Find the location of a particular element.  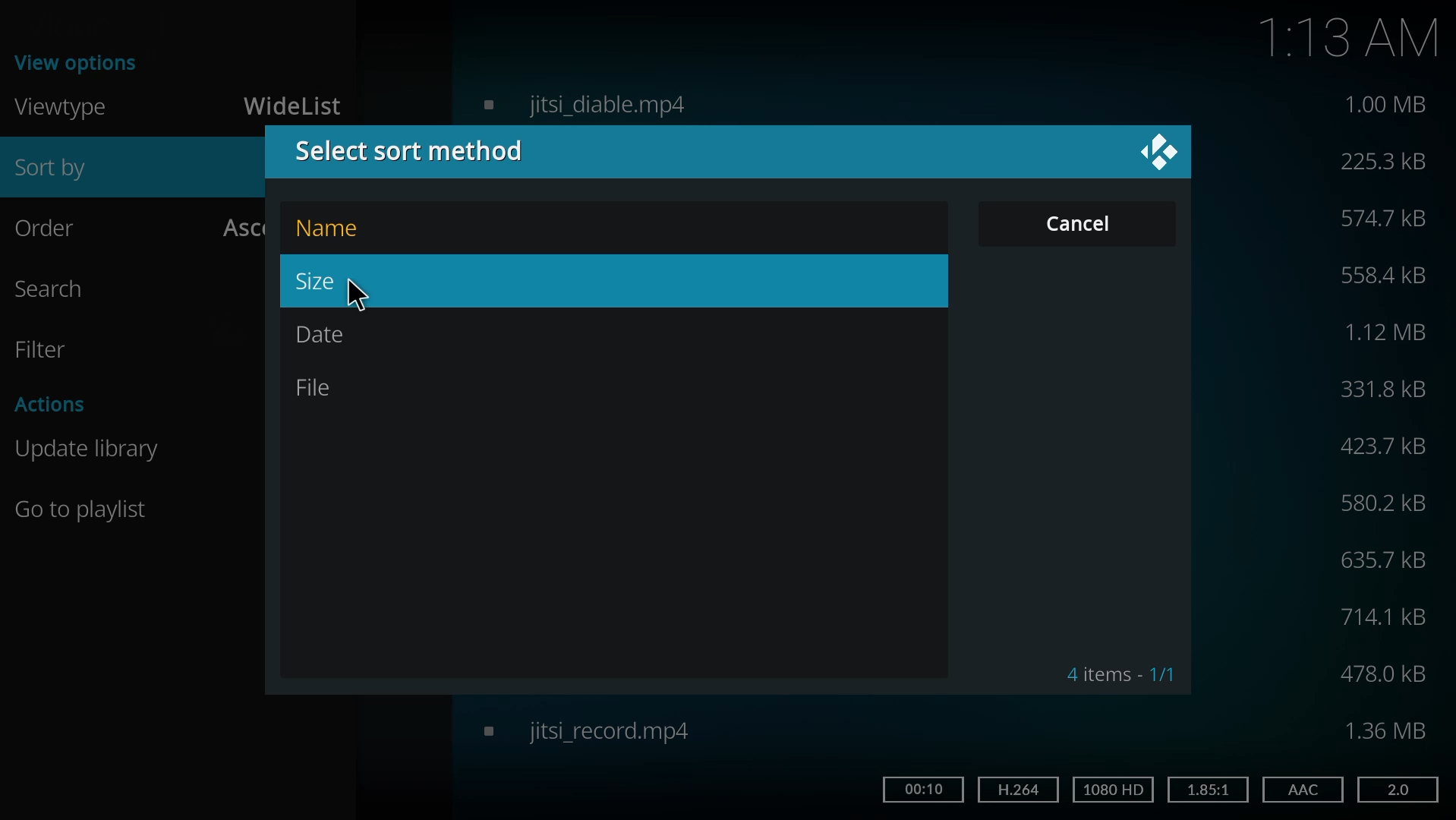

aac is located at coordinates (1299, 788).